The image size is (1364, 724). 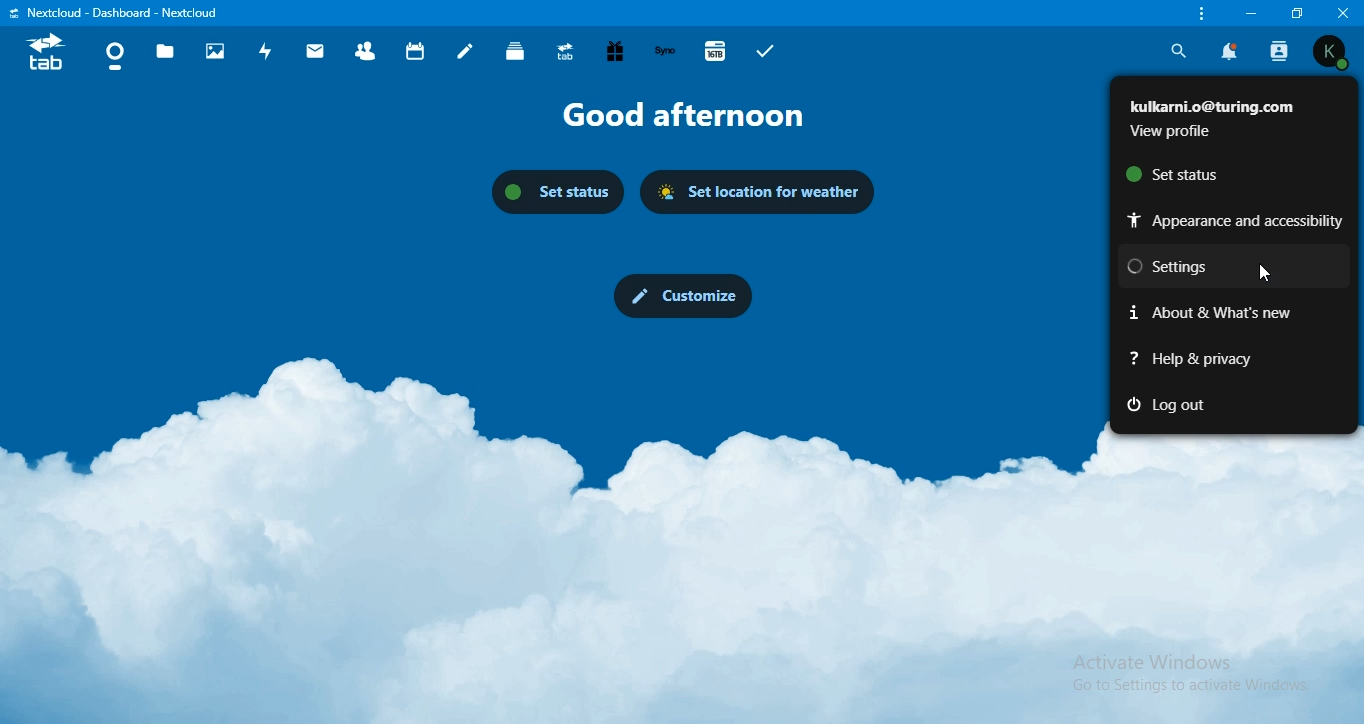 I want to click on synology, so click(x=668, y=51).